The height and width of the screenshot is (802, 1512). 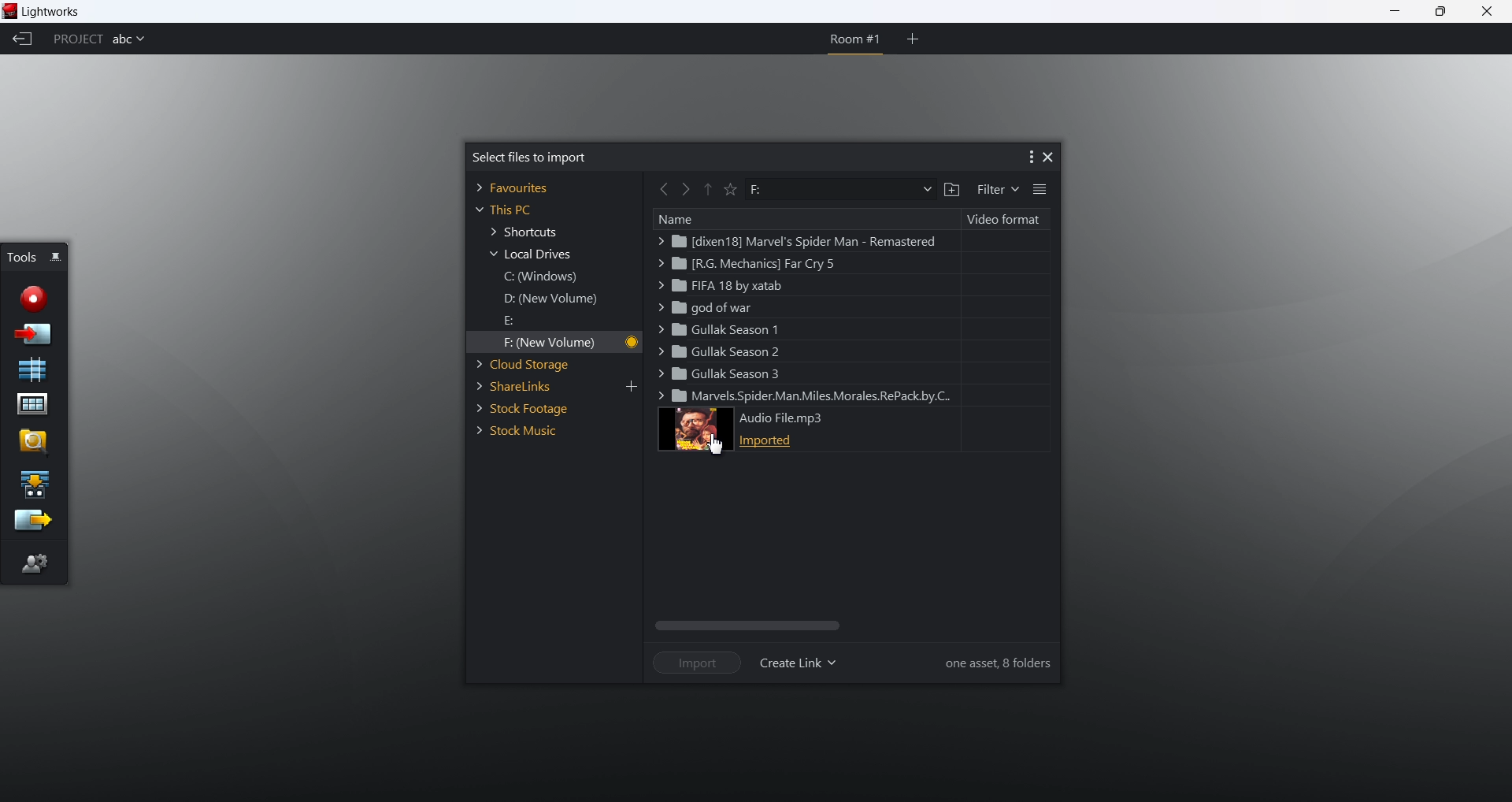 What do you see at coordinates (56, 11) in the screenshot?
I see `lightworks` at bounding box center [56, 11].